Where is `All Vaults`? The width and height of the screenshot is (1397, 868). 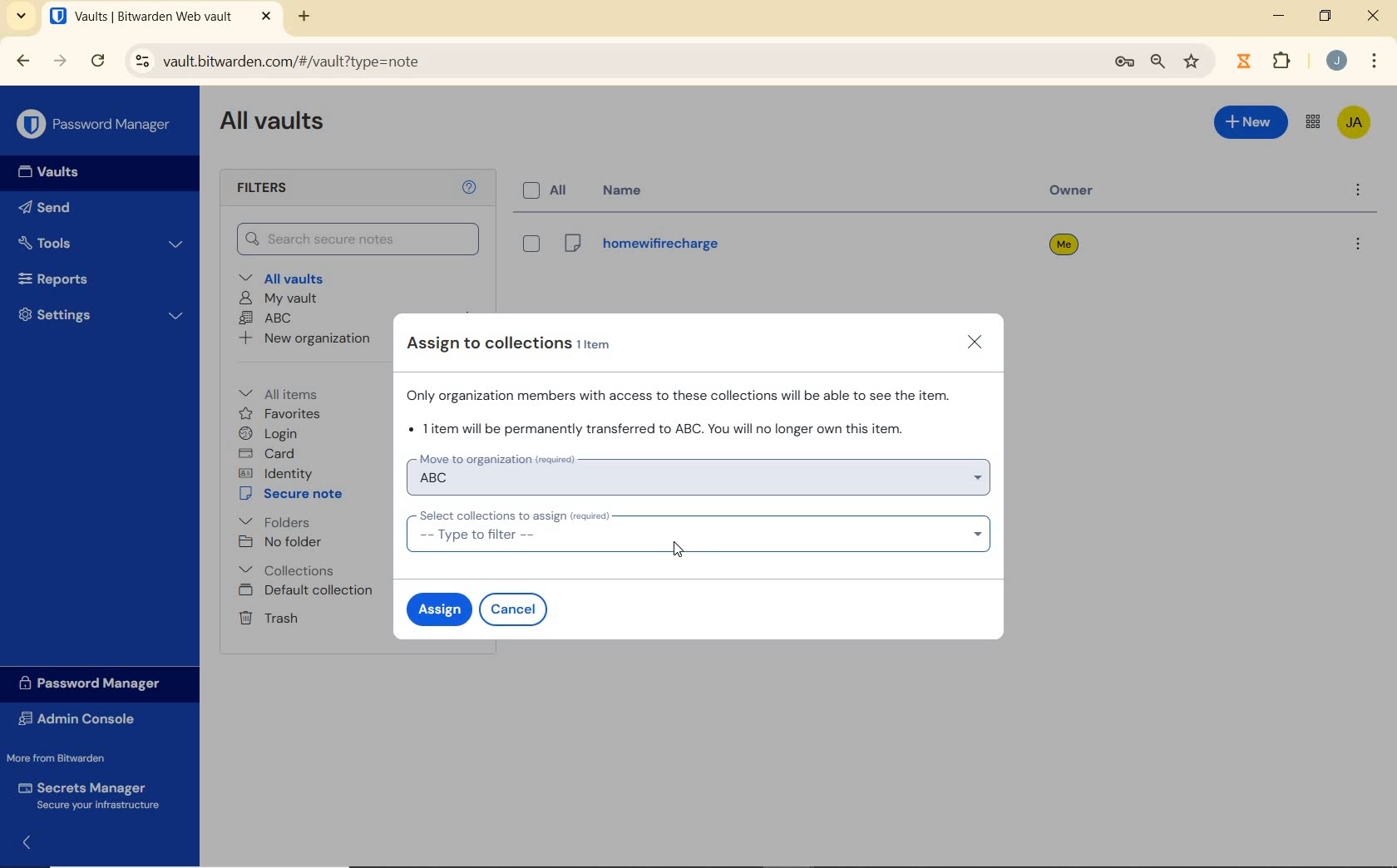
All Vaults is located at coordinates (273, 124).